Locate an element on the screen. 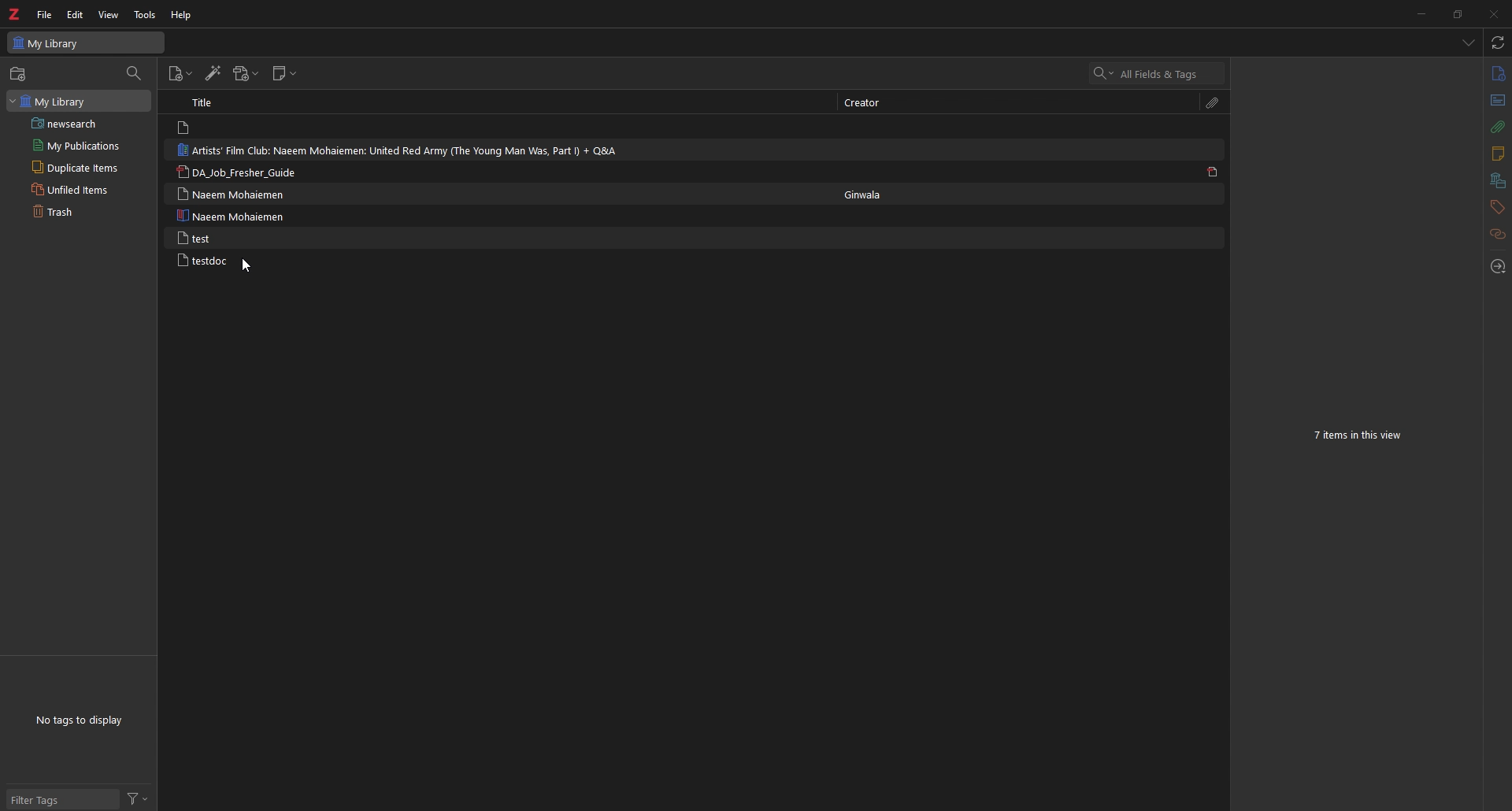 The image size is (1512, 811). My Library is located at coordinates (87, 43).